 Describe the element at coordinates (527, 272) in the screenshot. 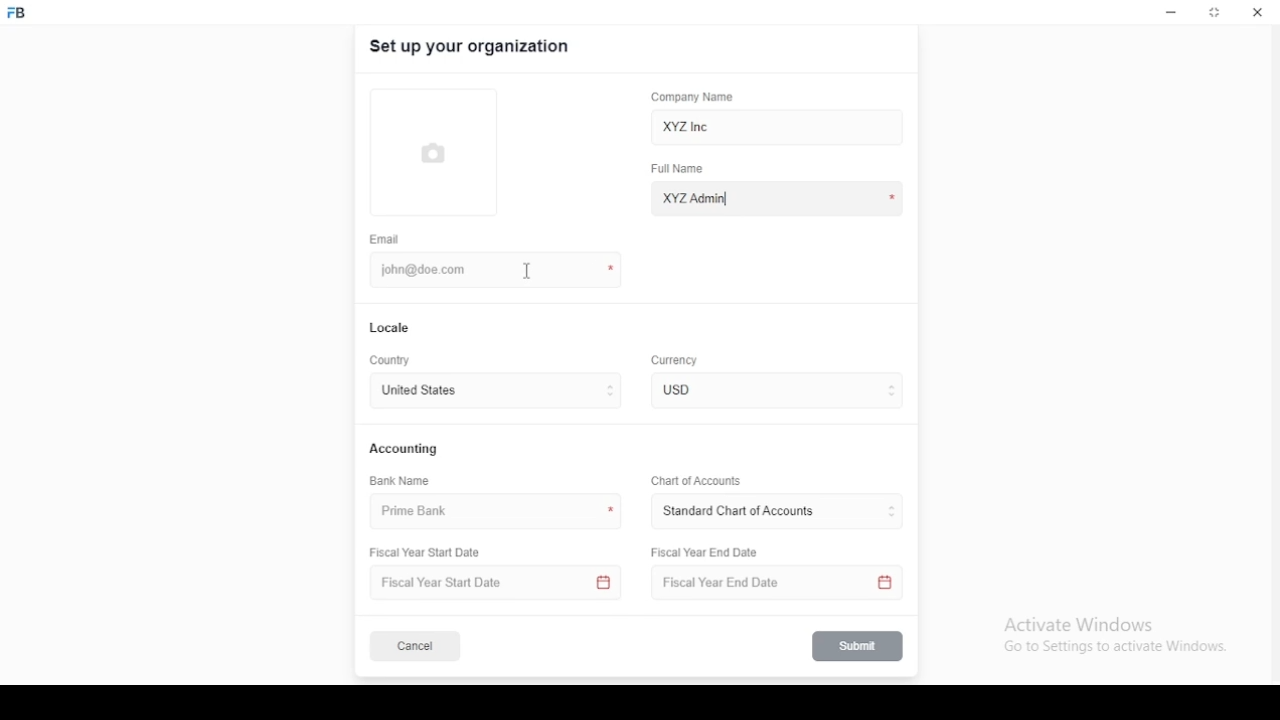

I see `mouse pointer` at that location.